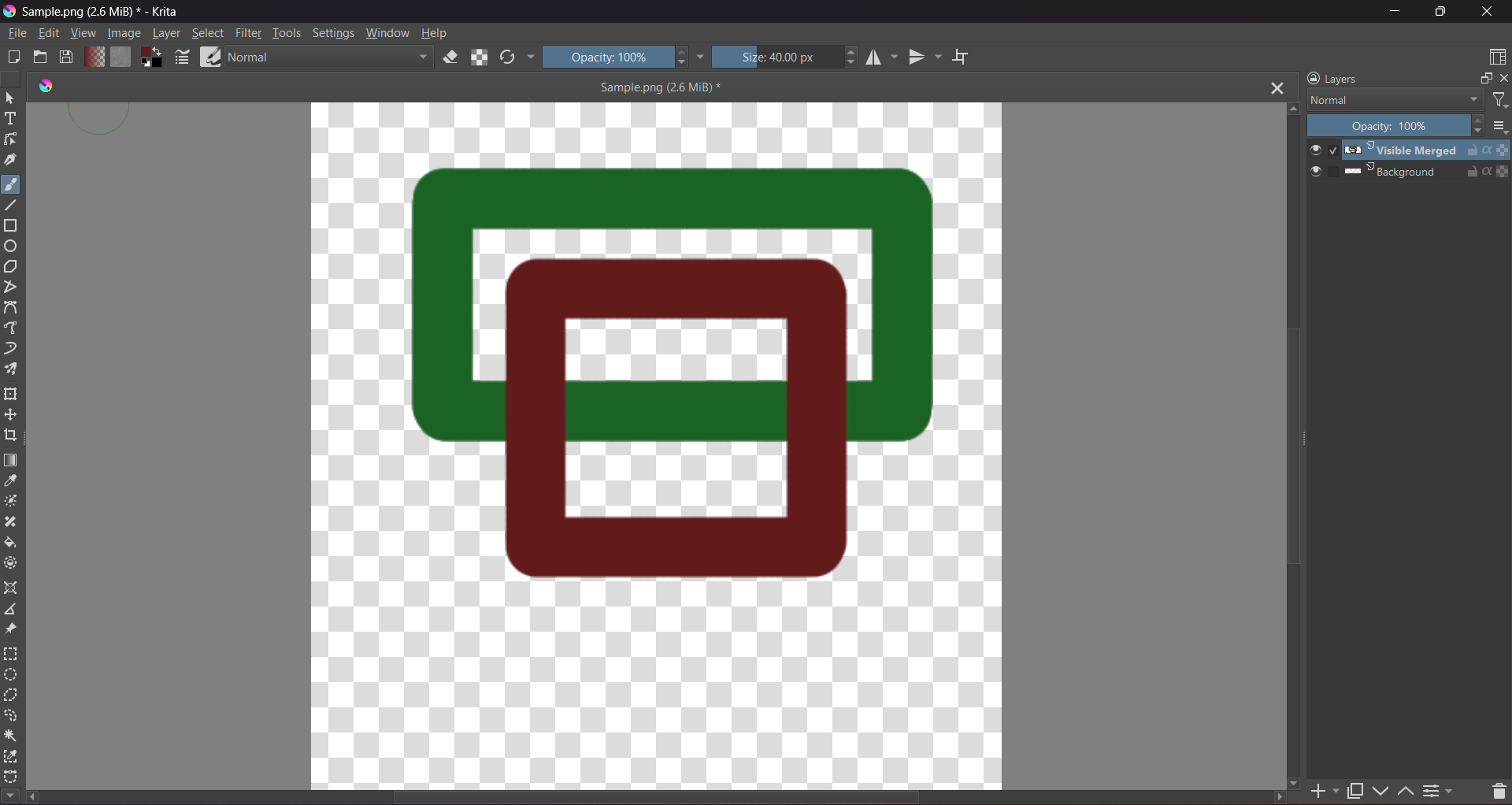  I want to click on Sample a color, so click(10, 482).